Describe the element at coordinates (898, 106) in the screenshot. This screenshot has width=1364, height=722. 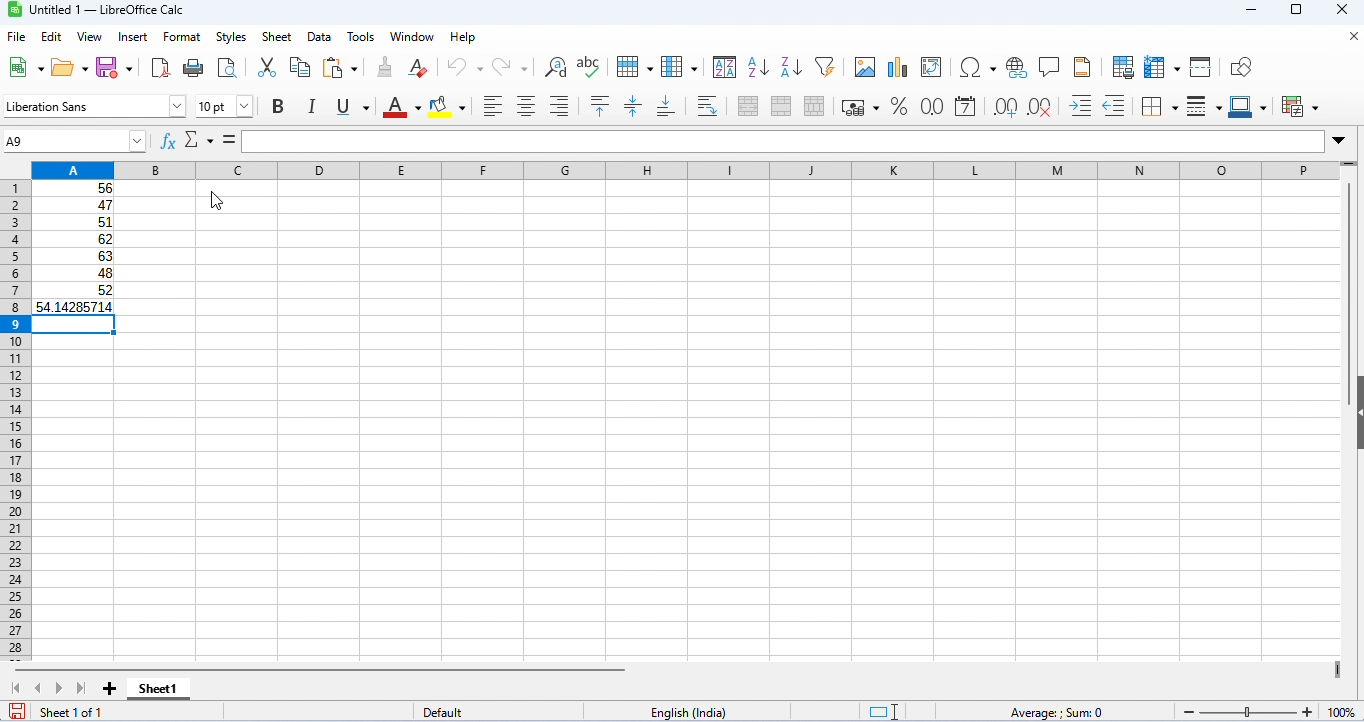
I see `format as percent` at that location.